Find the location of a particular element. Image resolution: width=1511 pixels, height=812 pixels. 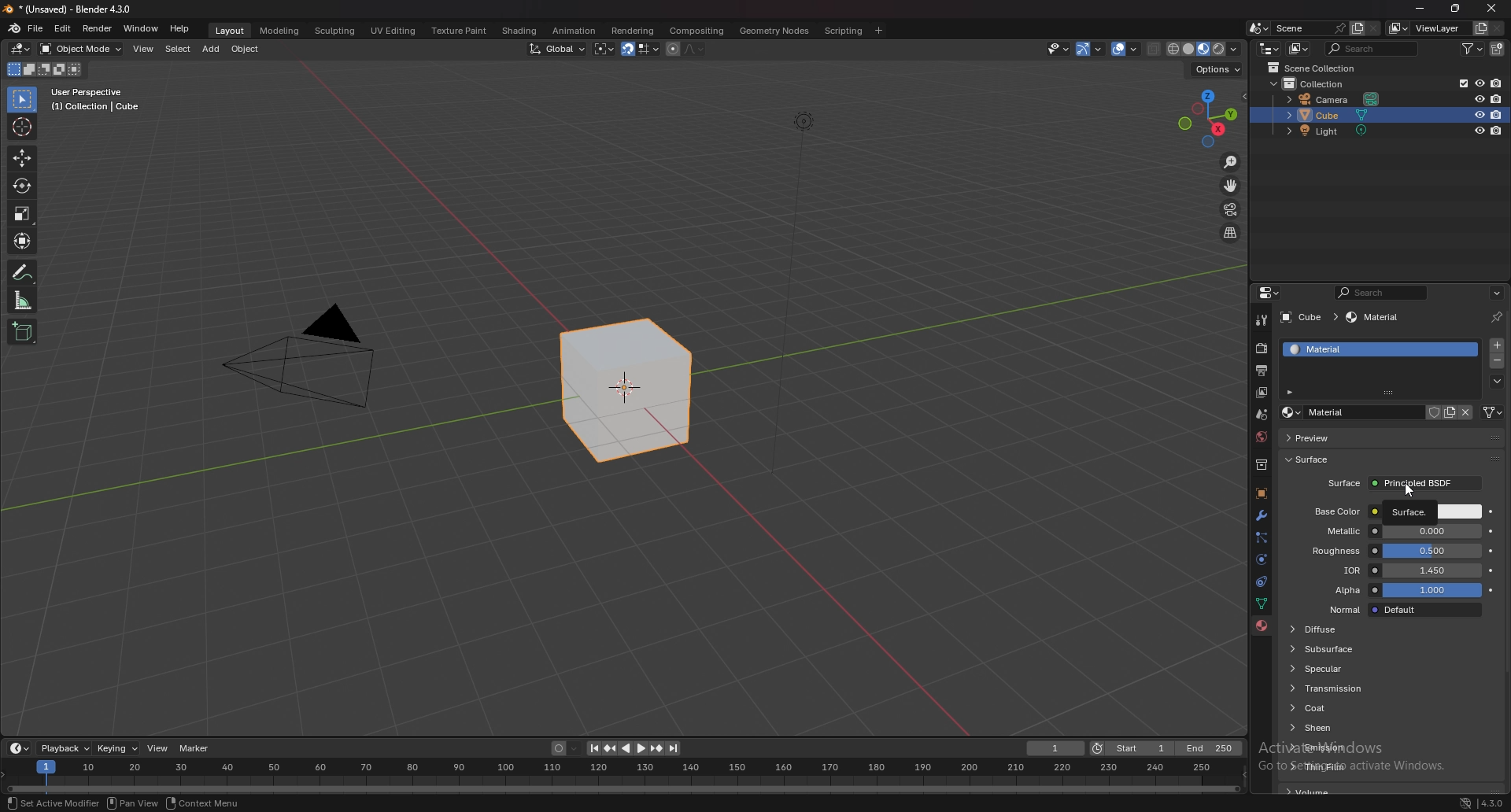

remove view layer is located at coordinates (1498, 29).